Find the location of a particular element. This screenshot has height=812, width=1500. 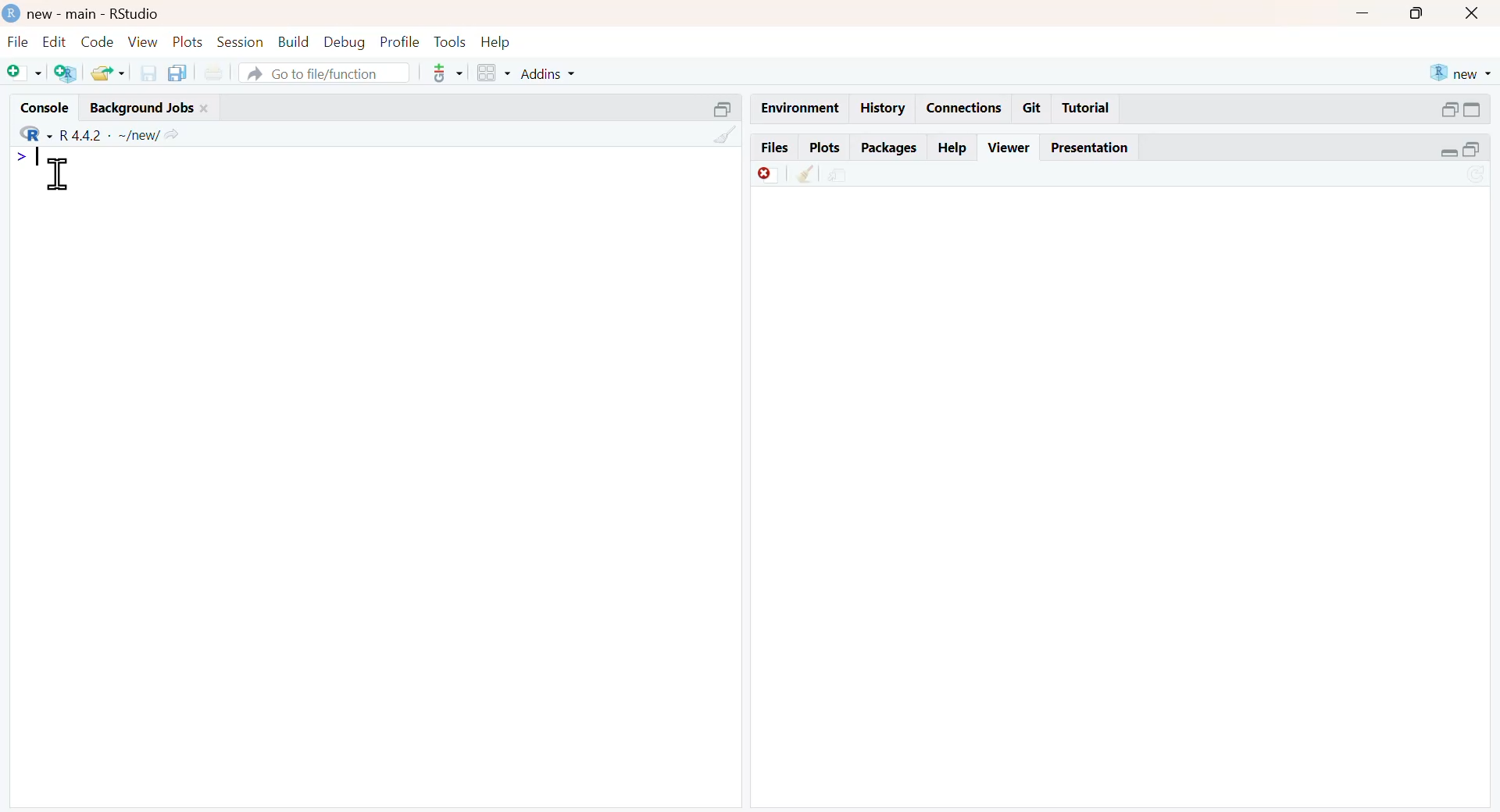

expand/collapse is located at coordinates (1474, 110).